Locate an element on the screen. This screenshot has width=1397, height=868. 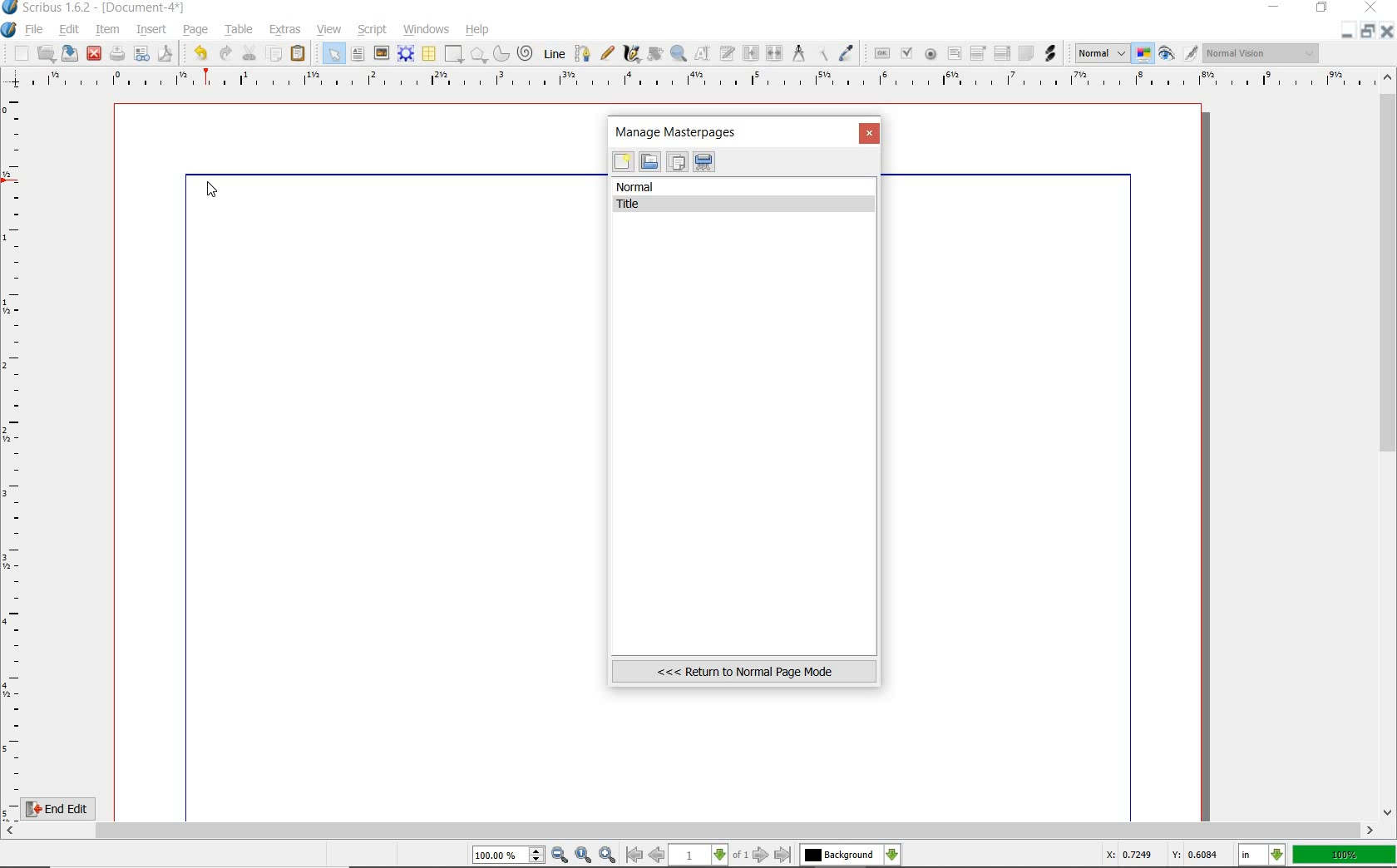
scrollbar is located at coordinates (690, 831).